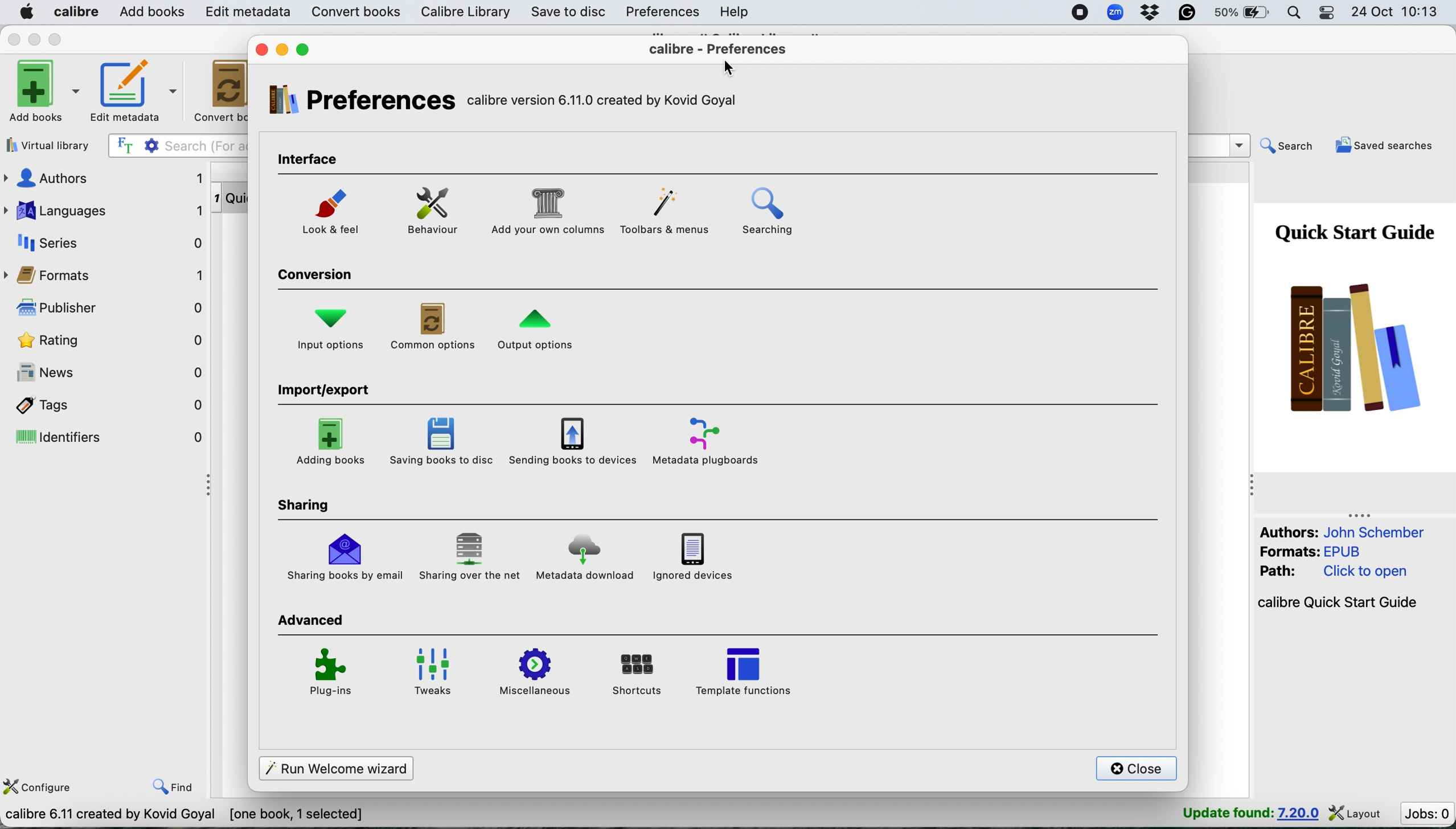 This screenshot has width=1456, height=829. Describe the element at coordinates (1327, 14) in the screenshot. I see `control center` at that location.